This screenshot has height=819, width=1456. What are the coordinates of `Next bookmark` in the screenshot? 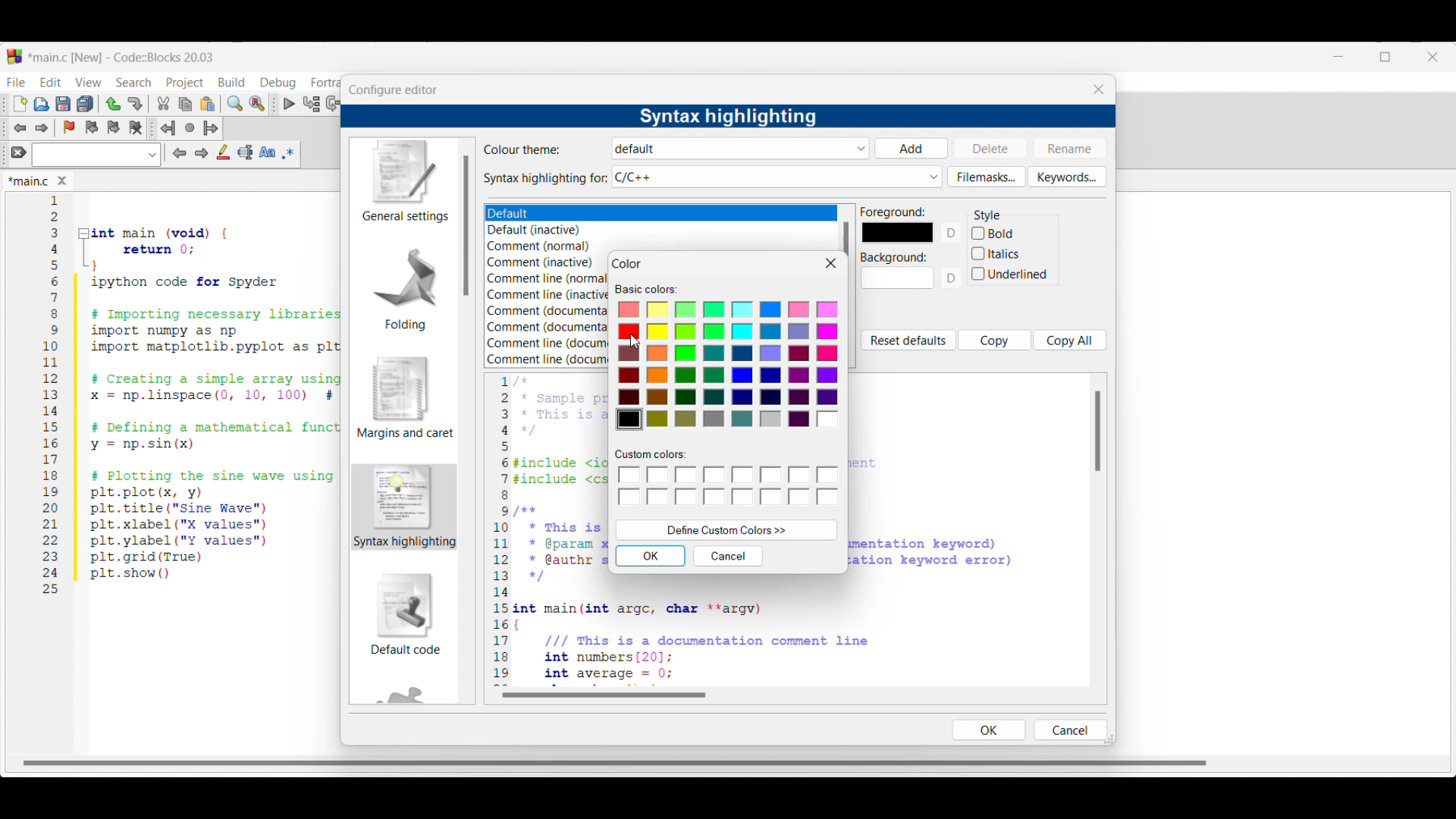 It's located at (113, 127).